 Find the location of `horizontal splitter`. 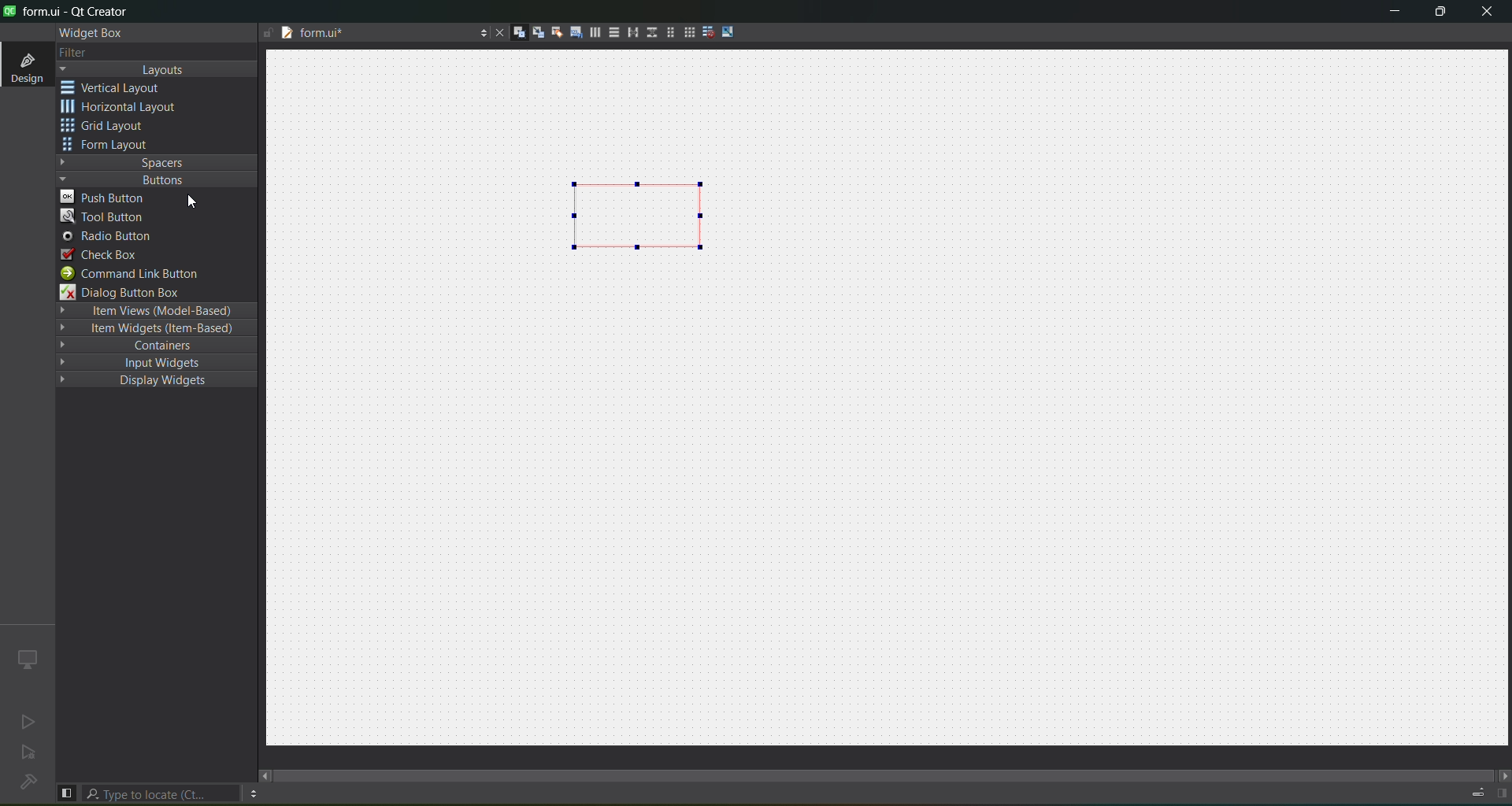

horizontal splitter is located at coordinates (630, 35).